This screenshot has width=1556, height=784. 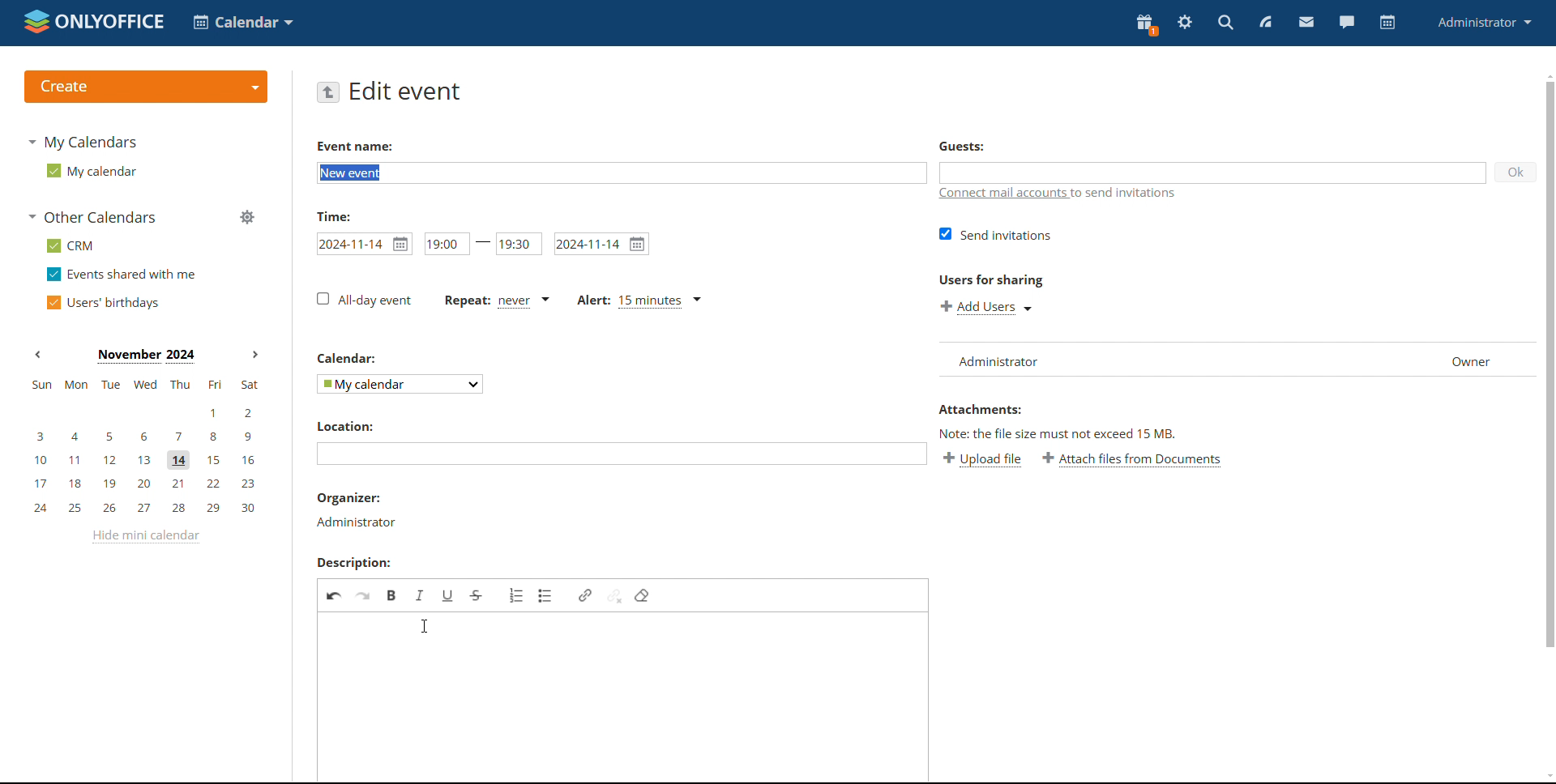 What do you see at coordinates (622, 454) in the screenshot?
I see `add location` at bounding box center [622, 454].